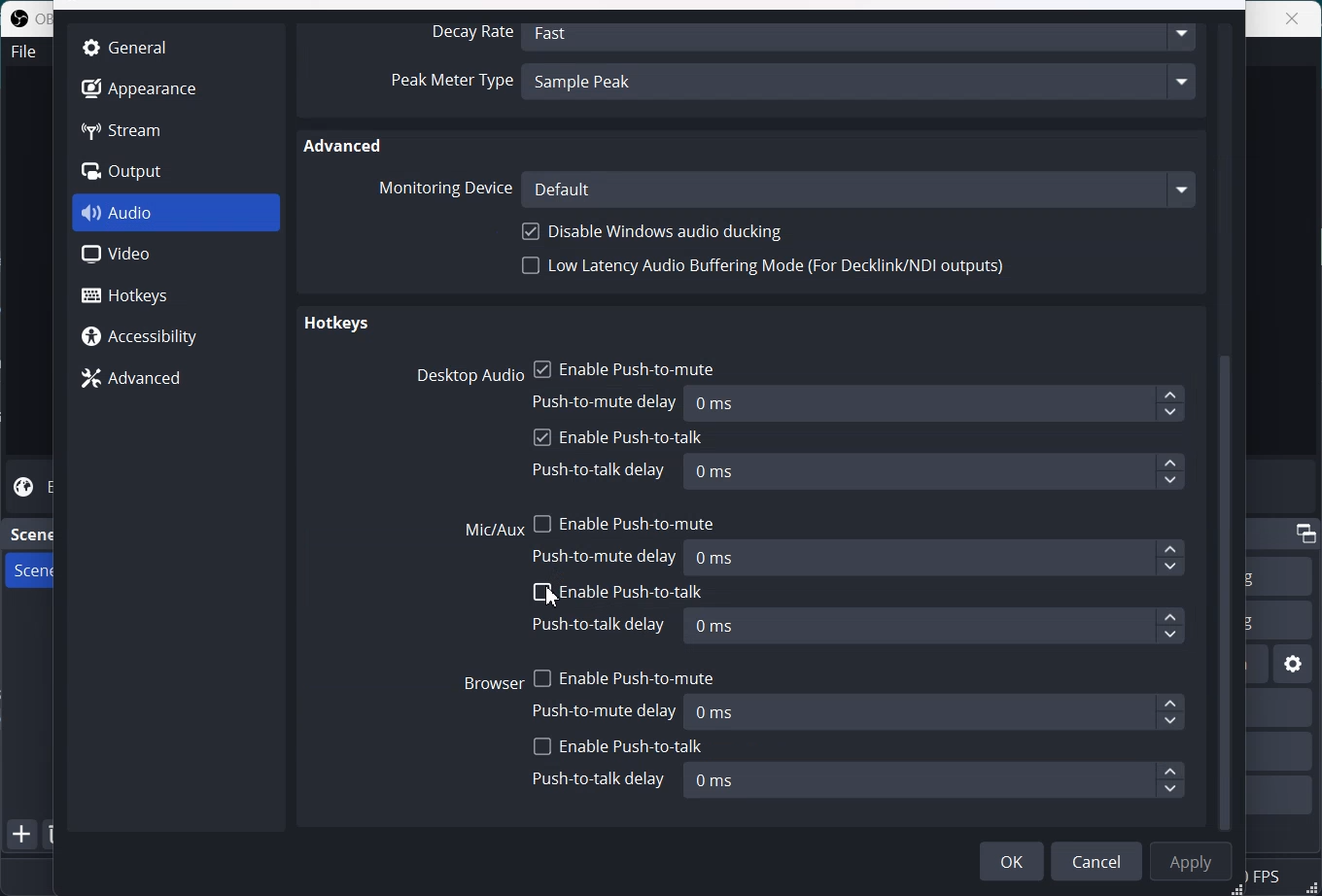 The width and height of the screenshot is (1322, 896). What do you see at coordinates (468, 33) in the screenshot?
I see `Decay Rate` at bounding box center [468, 33].